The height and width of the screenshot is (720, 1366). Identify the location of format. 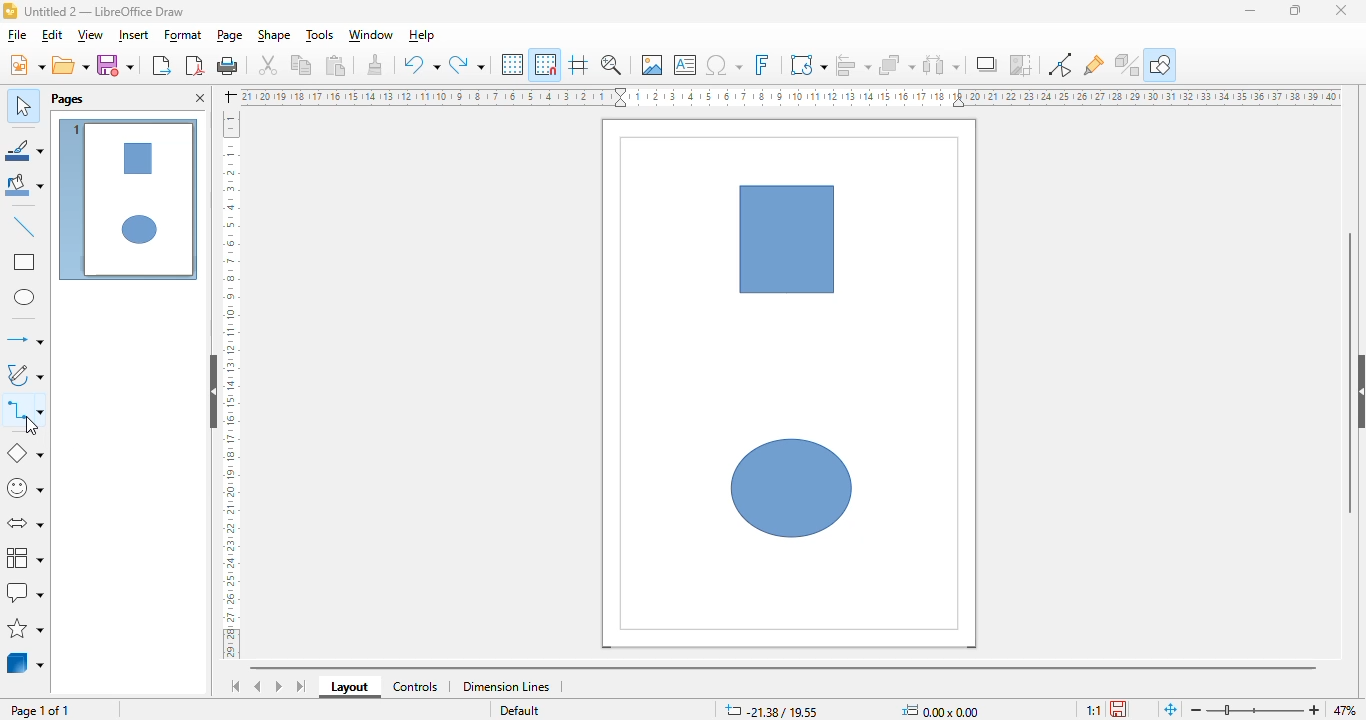
(184, 35).